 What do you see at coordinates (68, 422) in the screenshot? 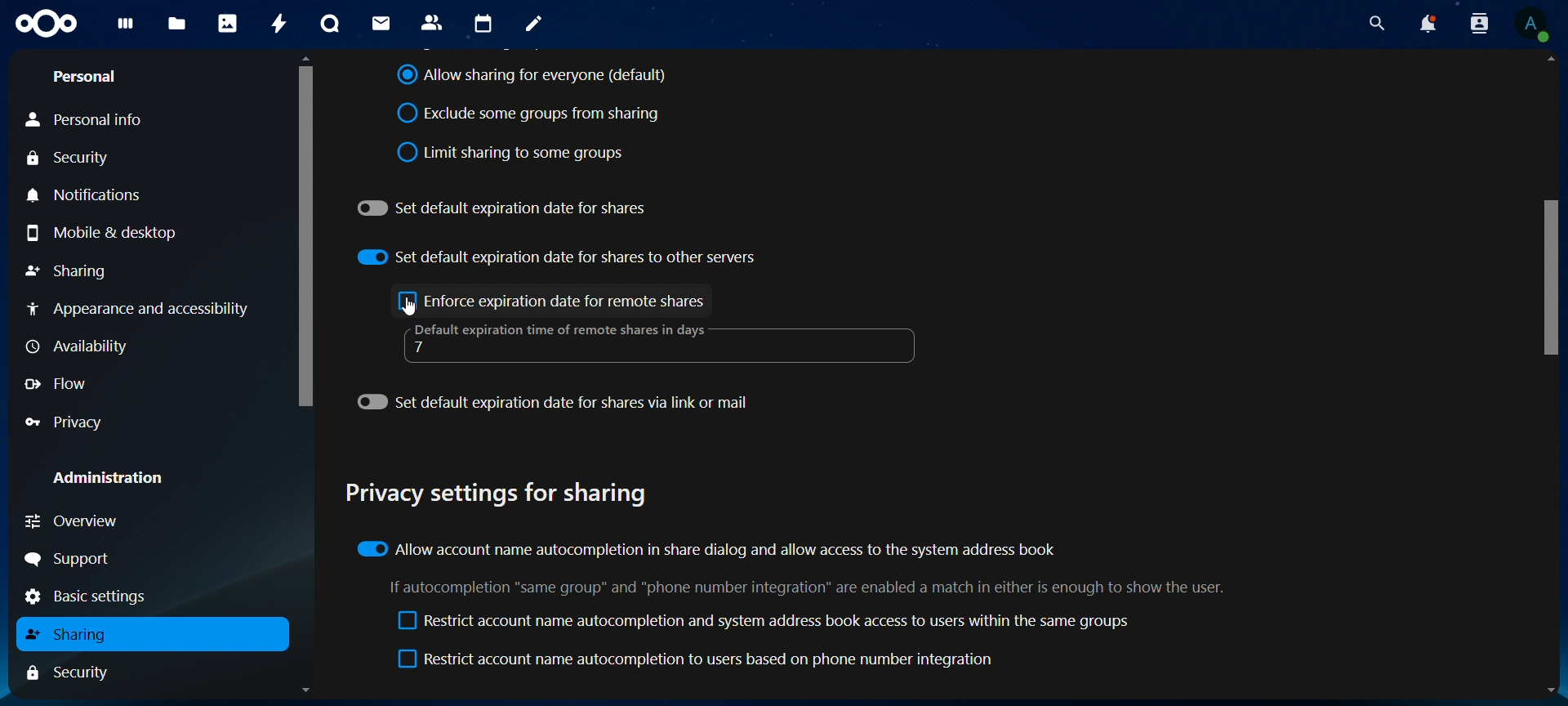
I see `privacy` at bounding box center [68, 422].